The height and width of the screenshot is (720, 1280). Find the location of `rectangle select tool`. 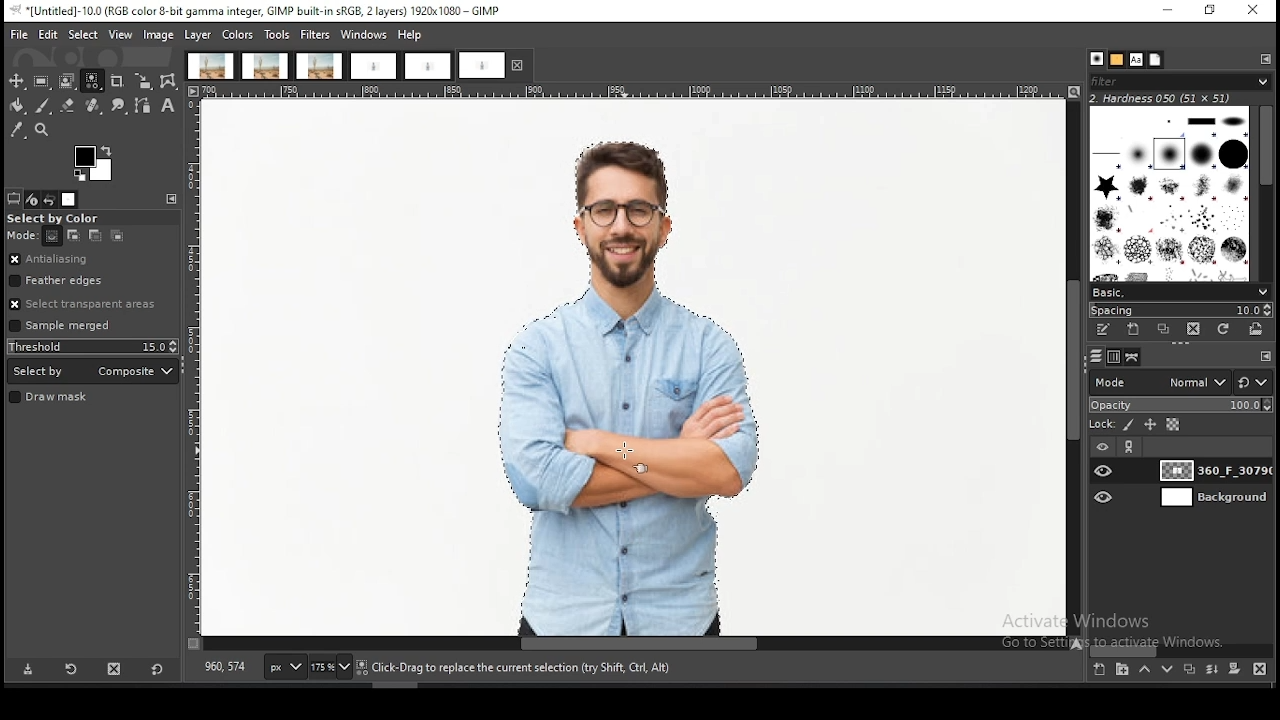

rectangle select tool is located at coordinates (41, 81).